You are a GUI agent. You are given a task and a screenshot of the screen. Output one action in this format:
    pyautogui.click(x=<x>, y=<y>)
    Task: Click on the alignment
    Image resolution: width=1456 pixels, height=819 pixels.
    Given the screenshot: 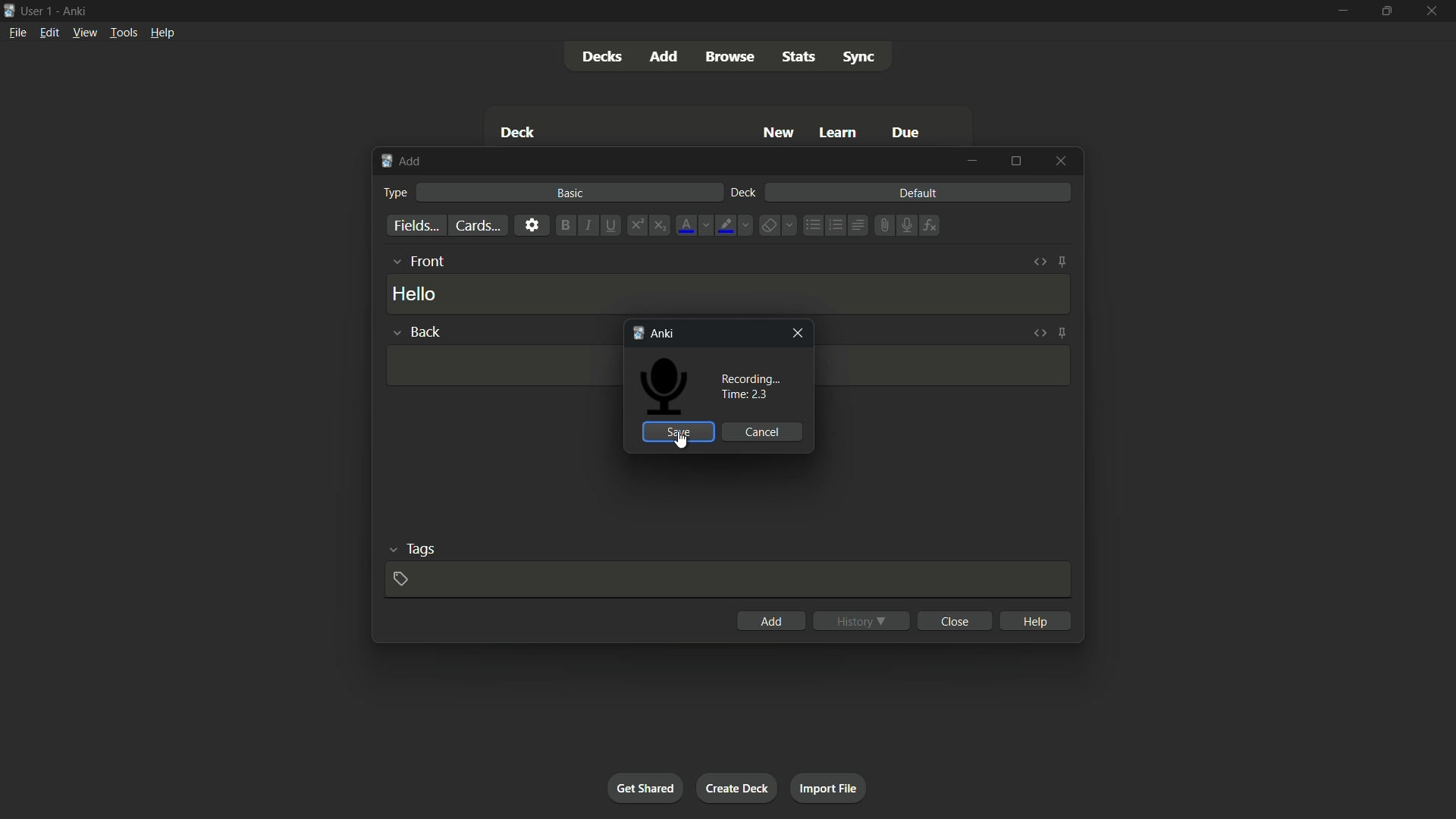 What is the action you would take?
    pyautogui.click(x=858, y=224)
    